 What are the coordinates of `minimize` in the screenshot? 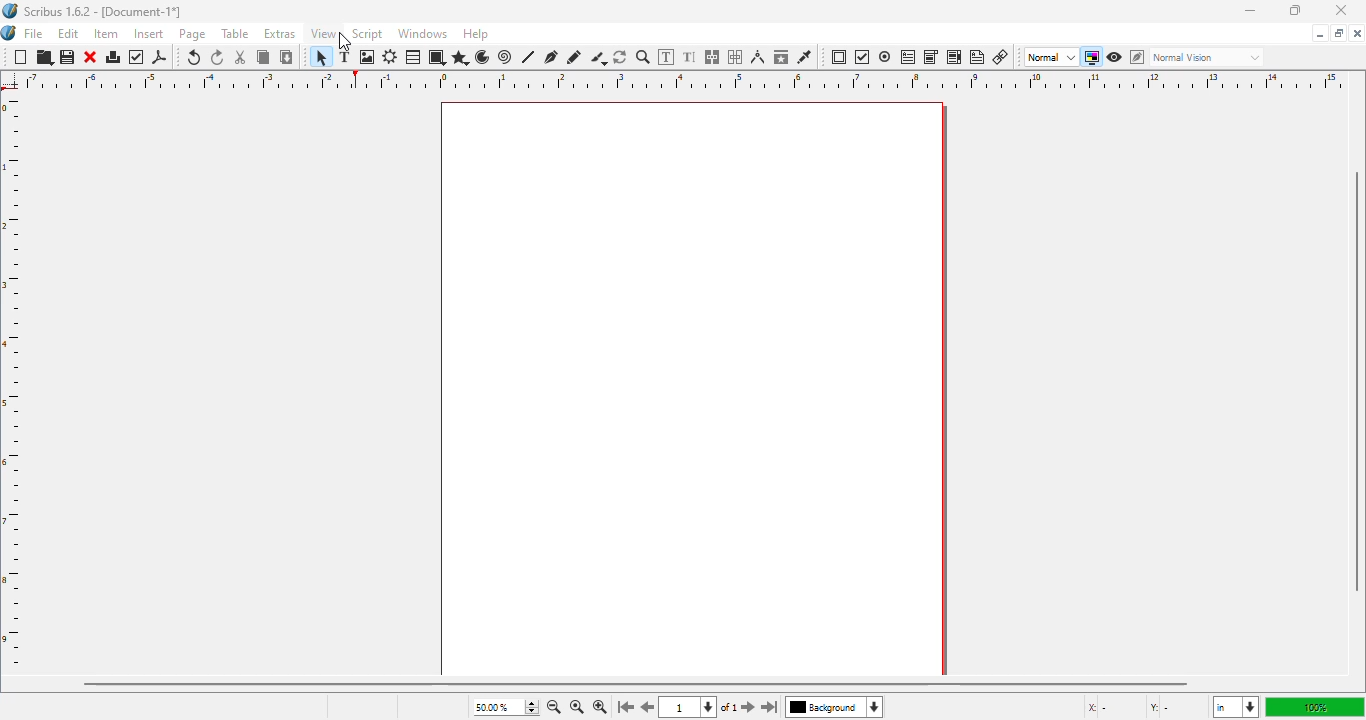 It's located at (1319, 34).